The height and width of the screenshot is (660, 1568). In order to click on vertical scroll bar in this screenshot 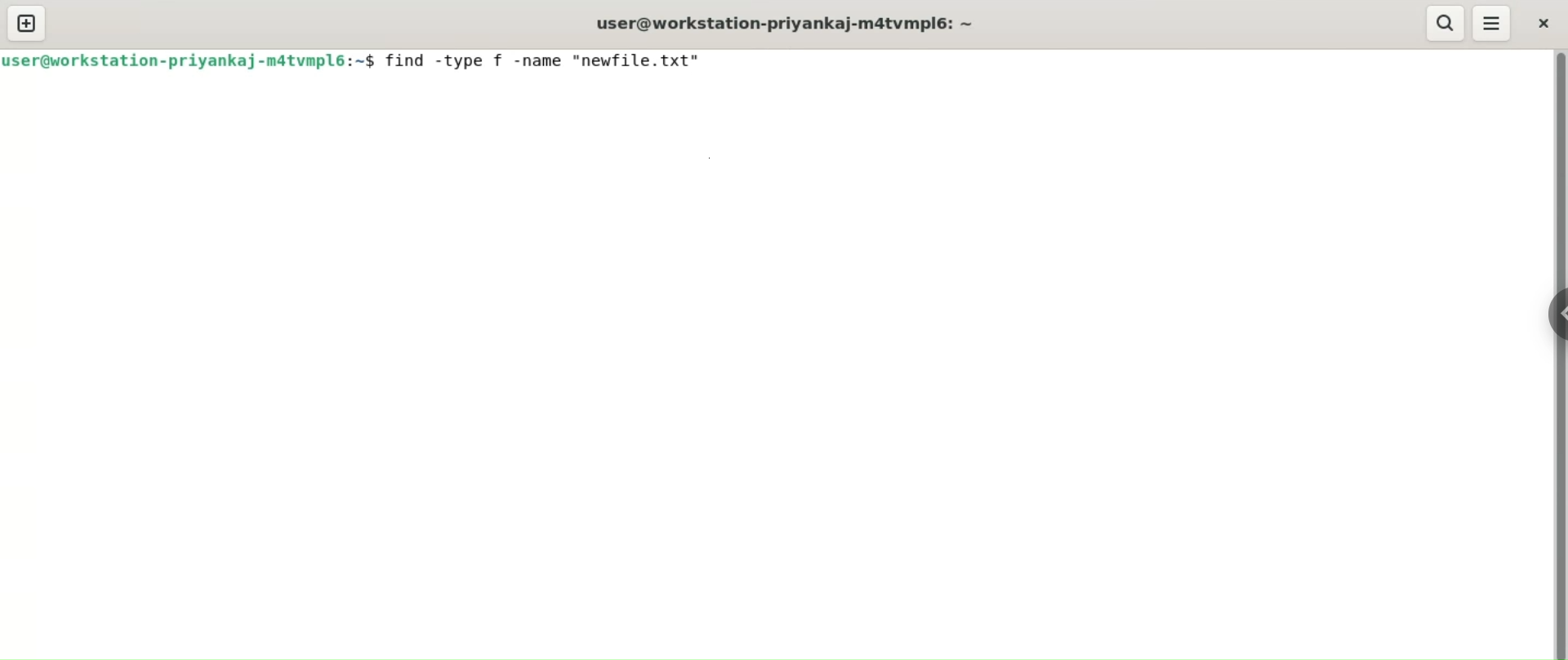, I will do `click(1558, 352)`.